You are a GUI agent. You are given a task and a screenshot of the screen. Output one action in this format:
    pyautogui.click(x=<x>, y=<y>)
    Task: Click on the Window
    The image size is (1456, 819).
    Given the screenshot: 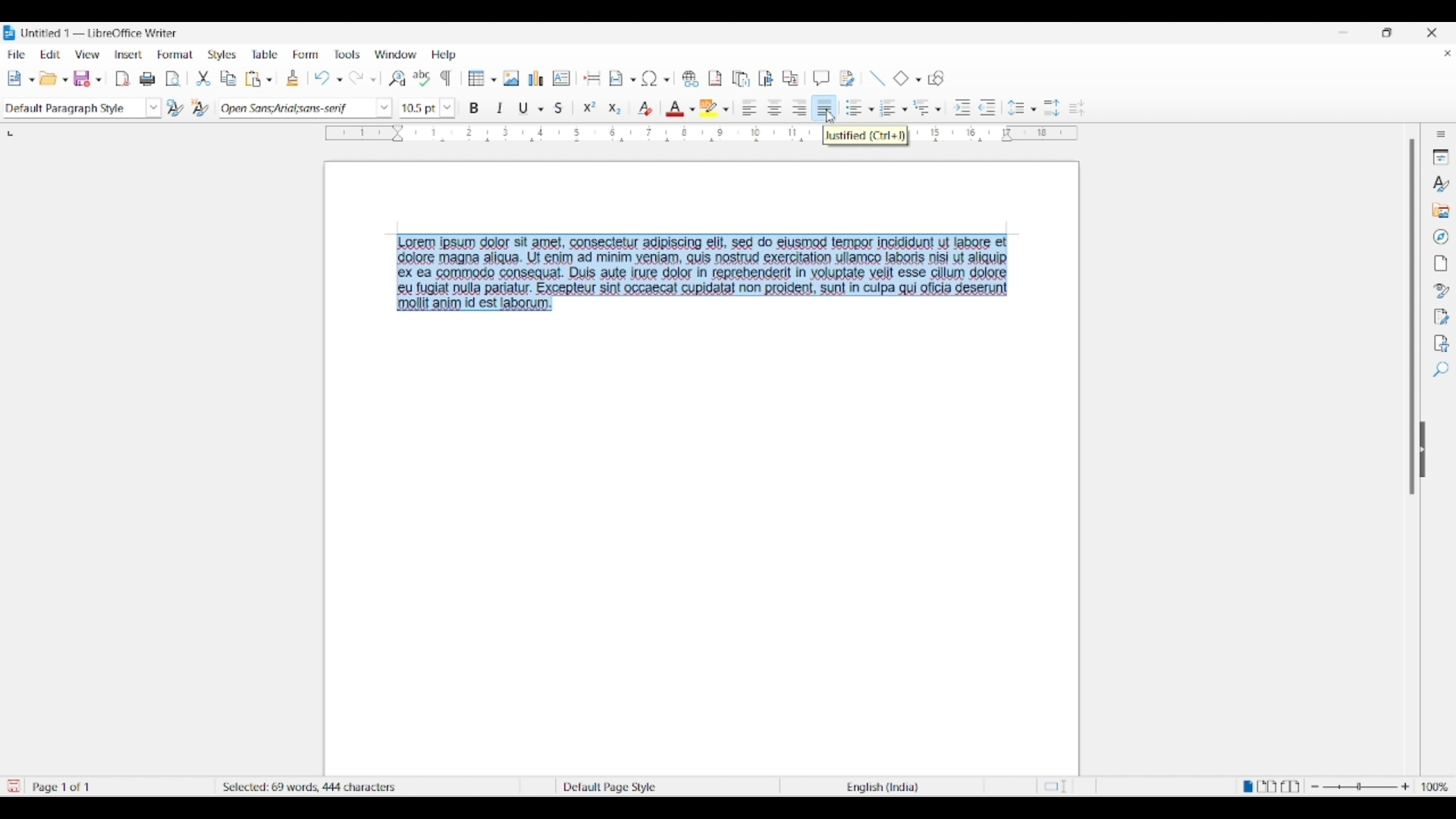 What is the action you would take?
    pyautogui.click(x=396, y=54)
    